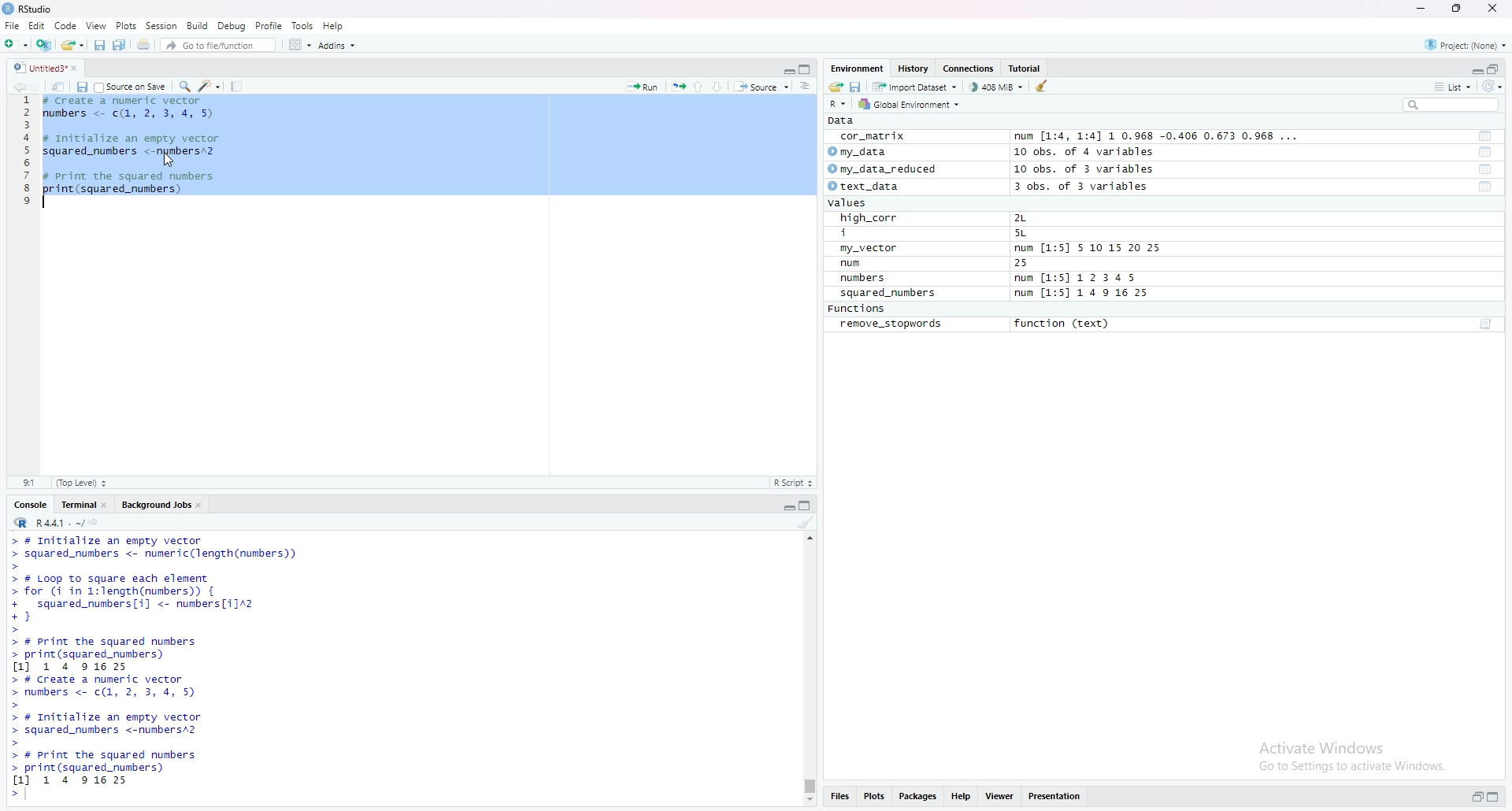  What do you see at coordinates (155, 503) in the screenshot?
I see `Background Jobs` at bounding box center [155, 503].